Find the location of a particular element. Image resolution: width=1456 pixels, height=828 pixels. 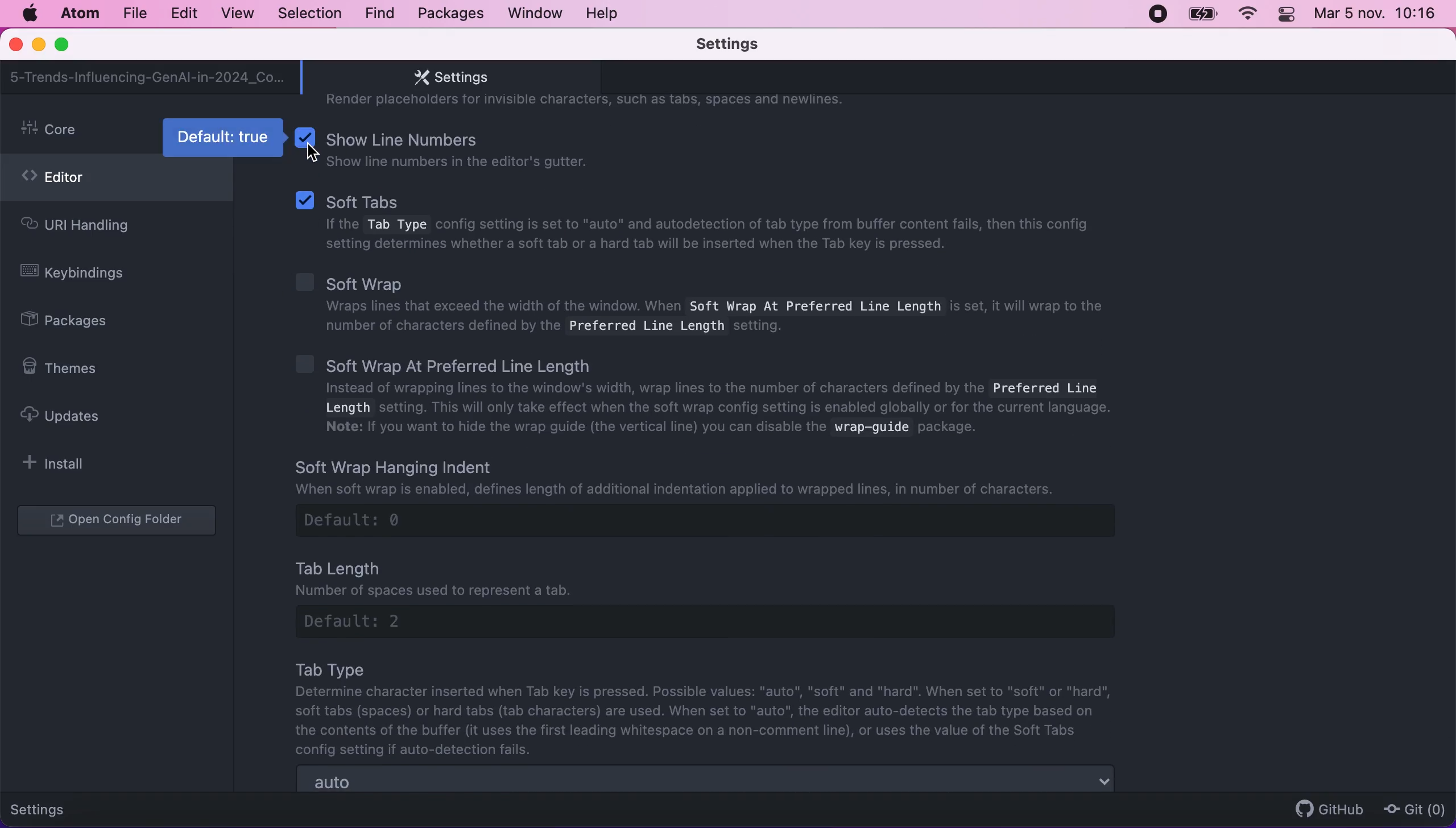

URI handling is located at coordinates (96, 228).